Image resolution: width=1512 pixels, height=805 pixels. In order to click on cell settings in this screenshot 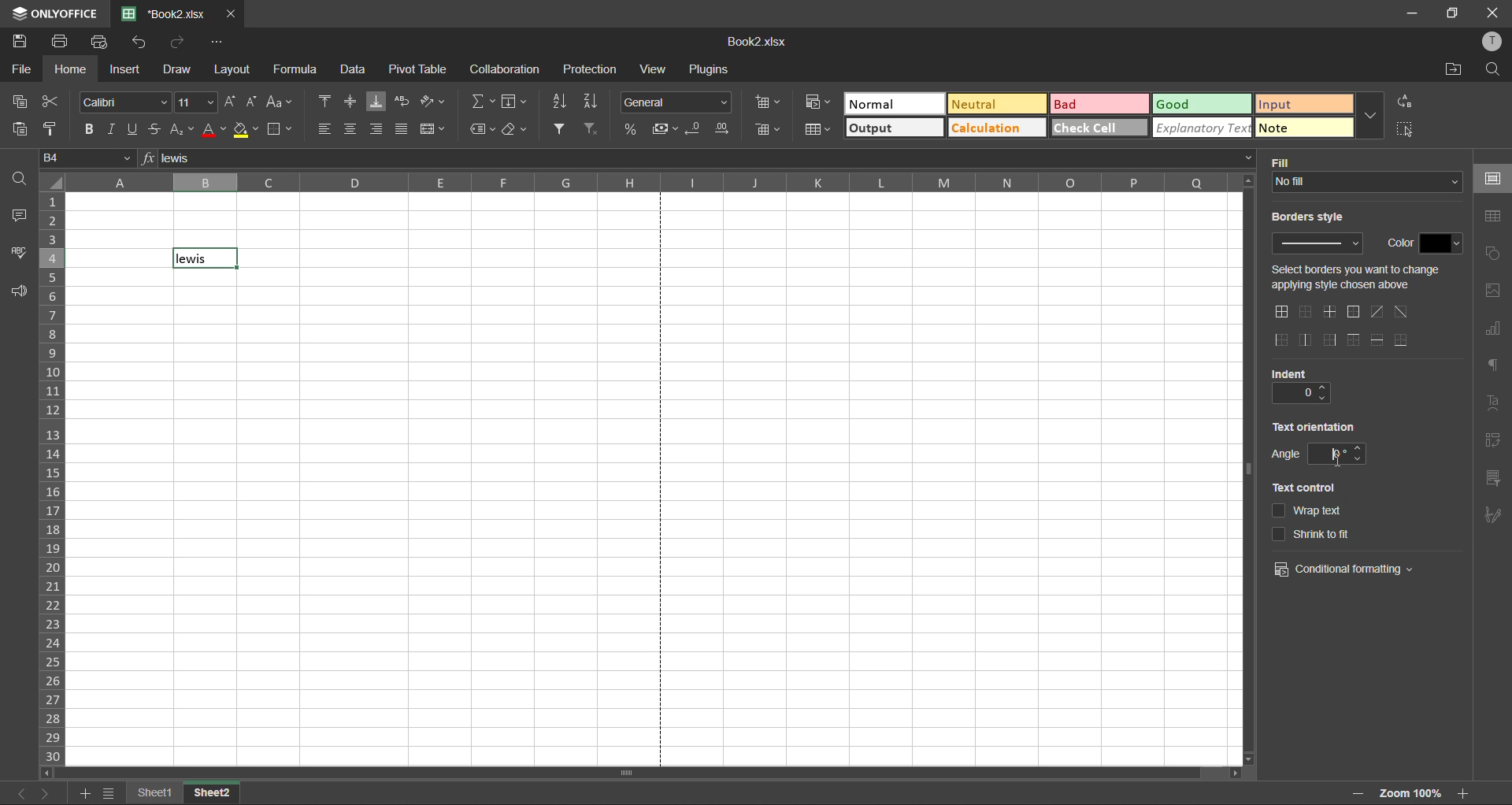, I will do `click(1492, 180)`.